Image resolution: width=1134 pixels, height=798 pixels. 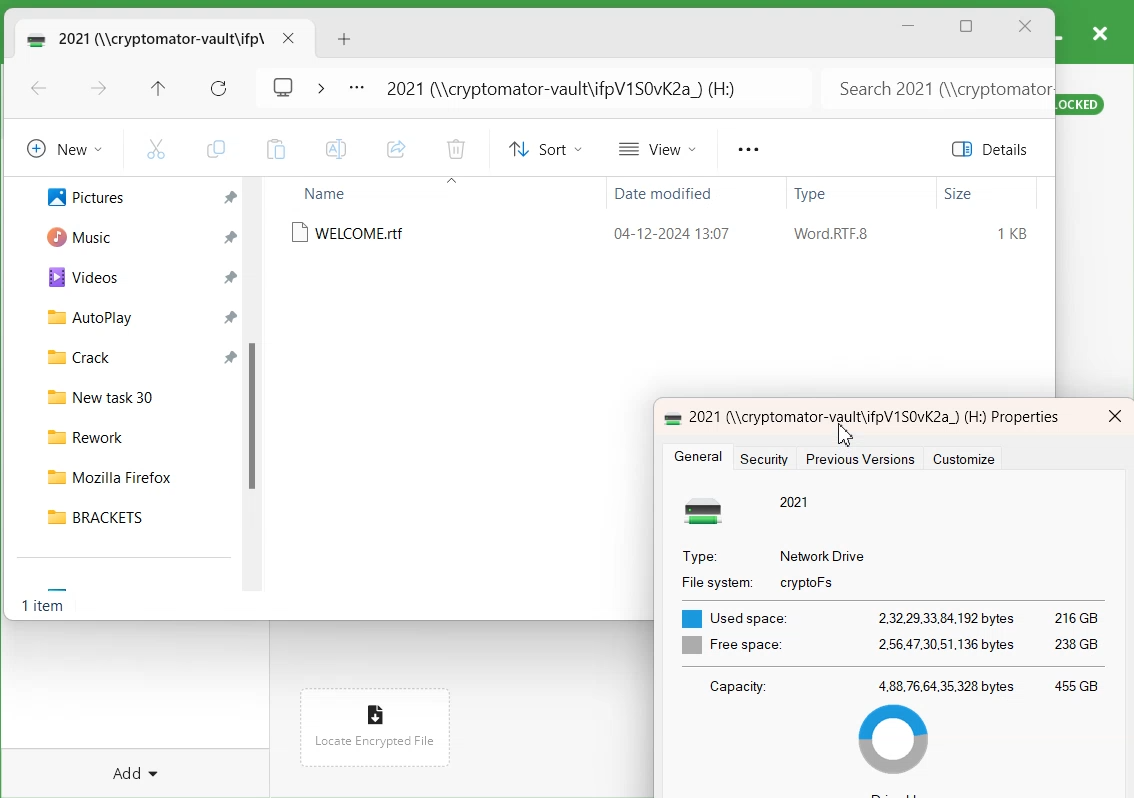 What do you see at coordinates (288, 38) in the screenshot?
I see `close` at bounding box center [288, 38].